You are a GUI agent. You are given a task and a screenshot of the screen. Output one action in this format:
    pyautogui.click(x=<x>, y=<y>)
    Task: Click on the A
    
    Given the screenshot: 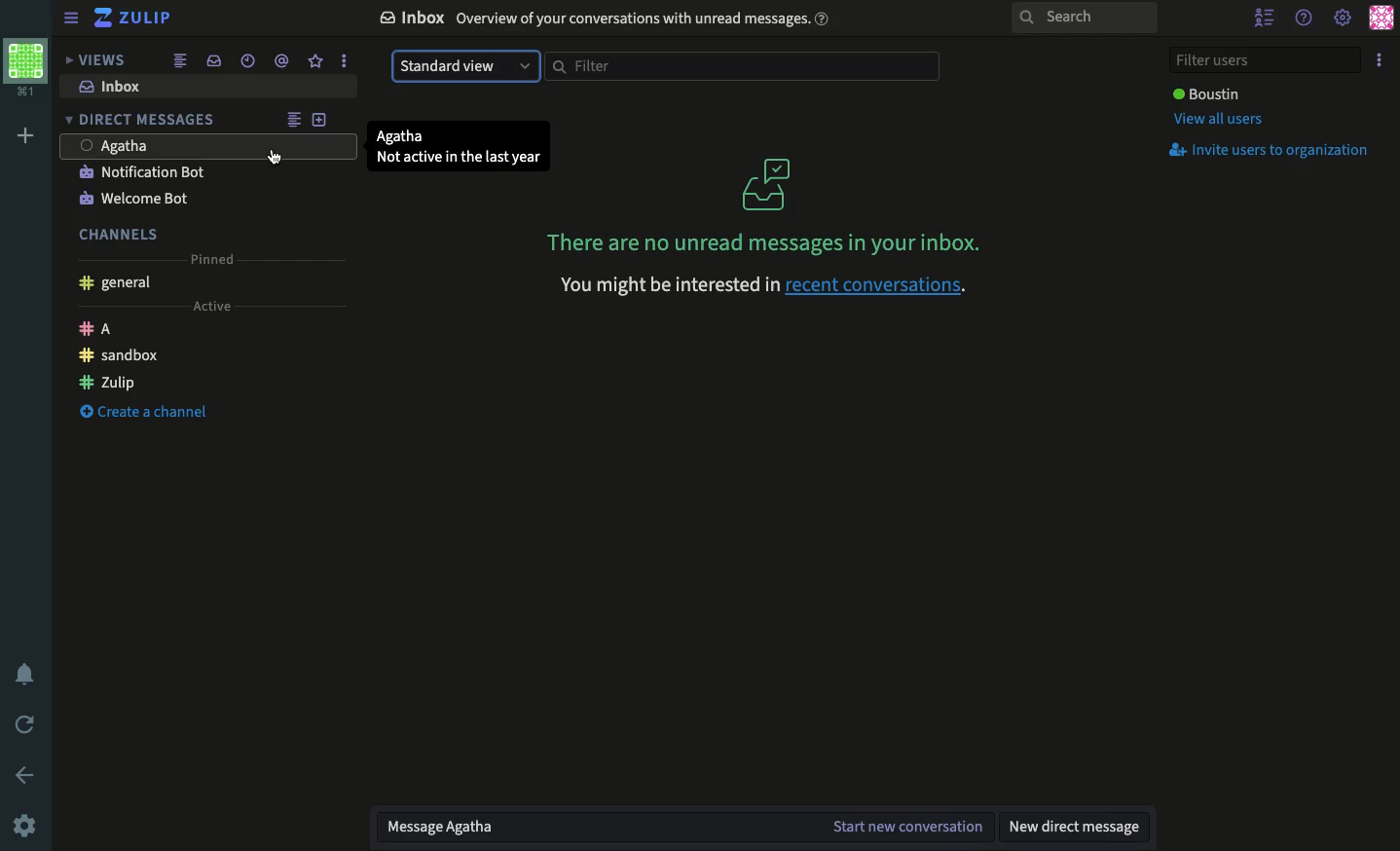 What is the action you would take?
    pyautogui.click(x=97, y=330)
    